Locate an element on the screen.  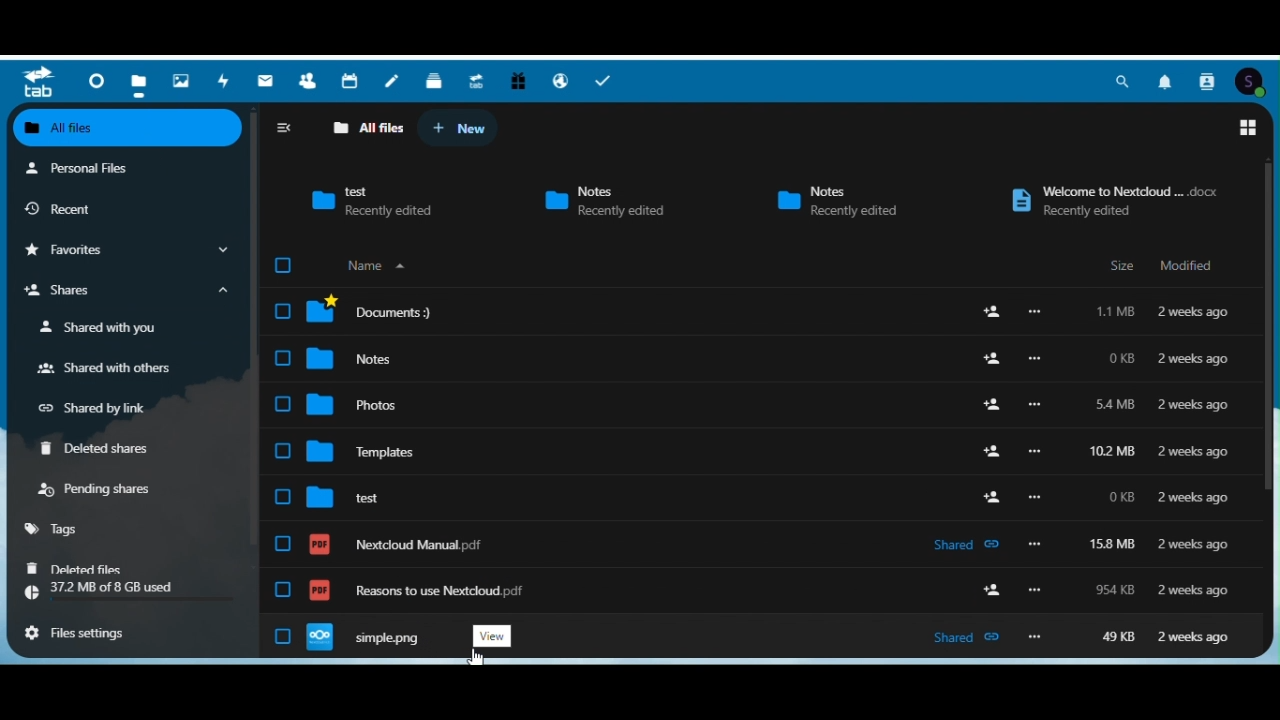
Deck is located at coordinates (433, 78).